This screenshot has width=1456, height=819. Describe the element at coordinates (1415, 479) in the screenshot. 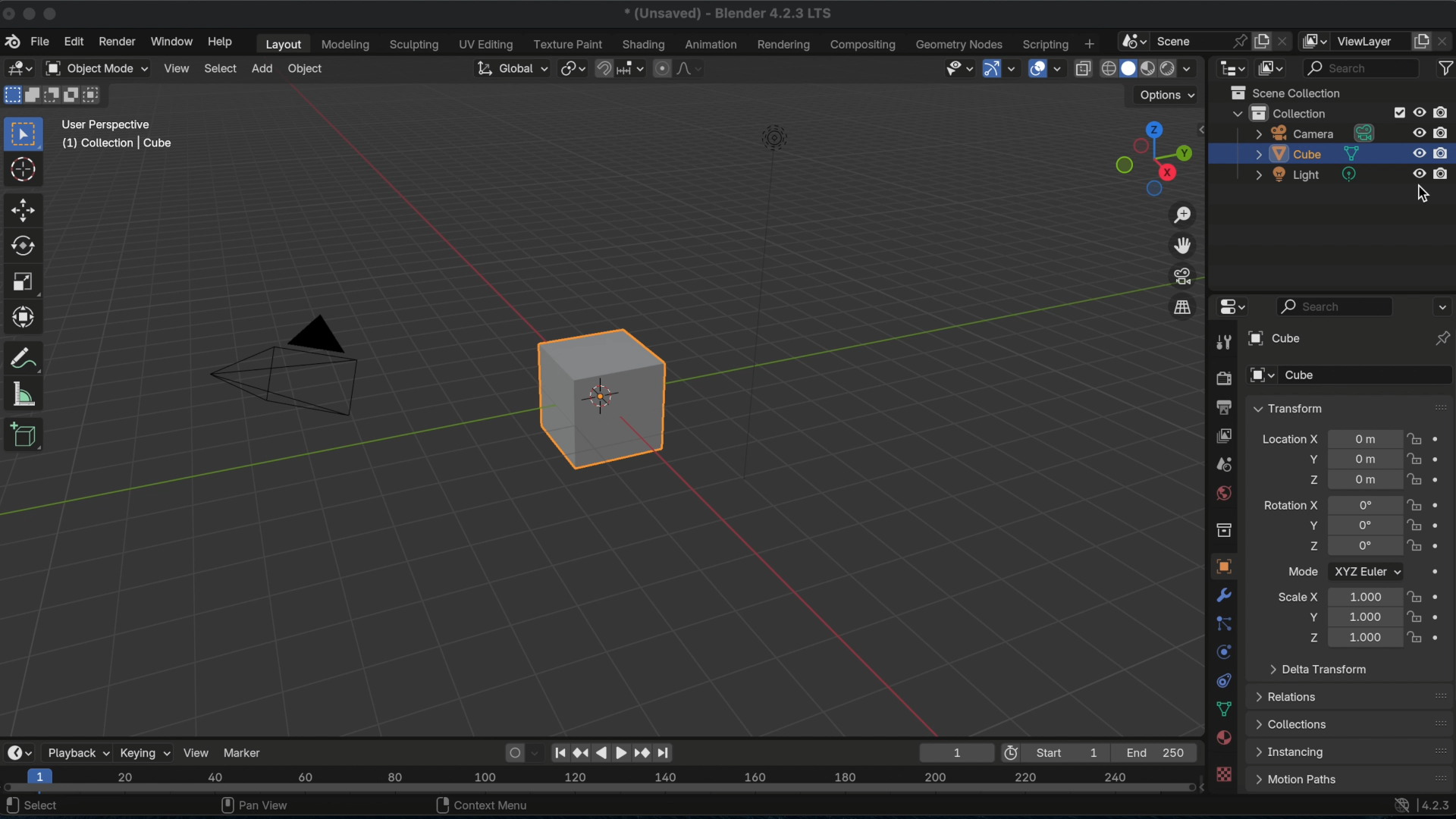

I see `lock location` at that location.